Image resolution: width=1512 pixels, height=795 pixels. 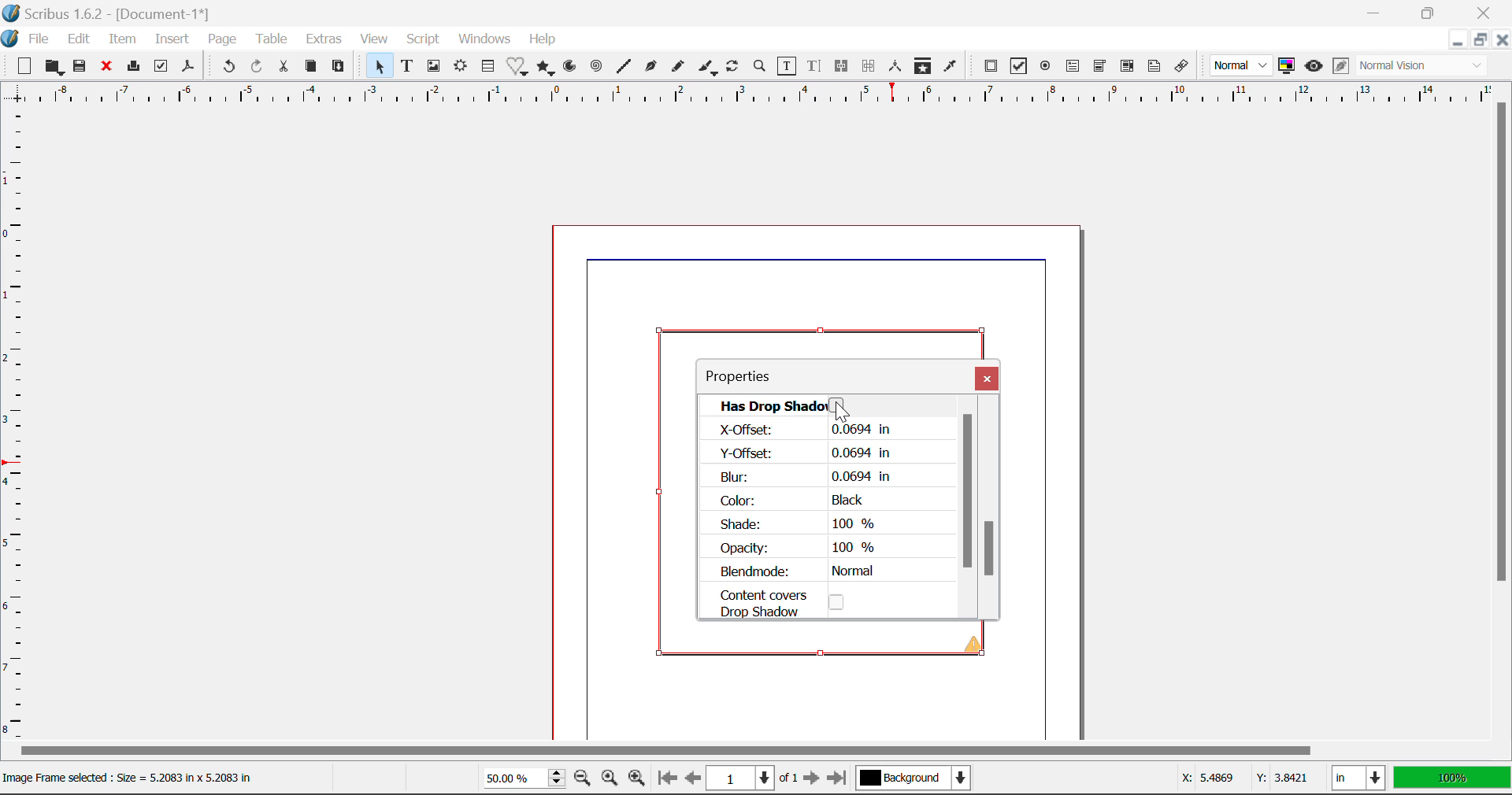 What do you see at coordinates (690, 777) in the screenshot?
I see `Previous page` at bounding box center [690, 777].